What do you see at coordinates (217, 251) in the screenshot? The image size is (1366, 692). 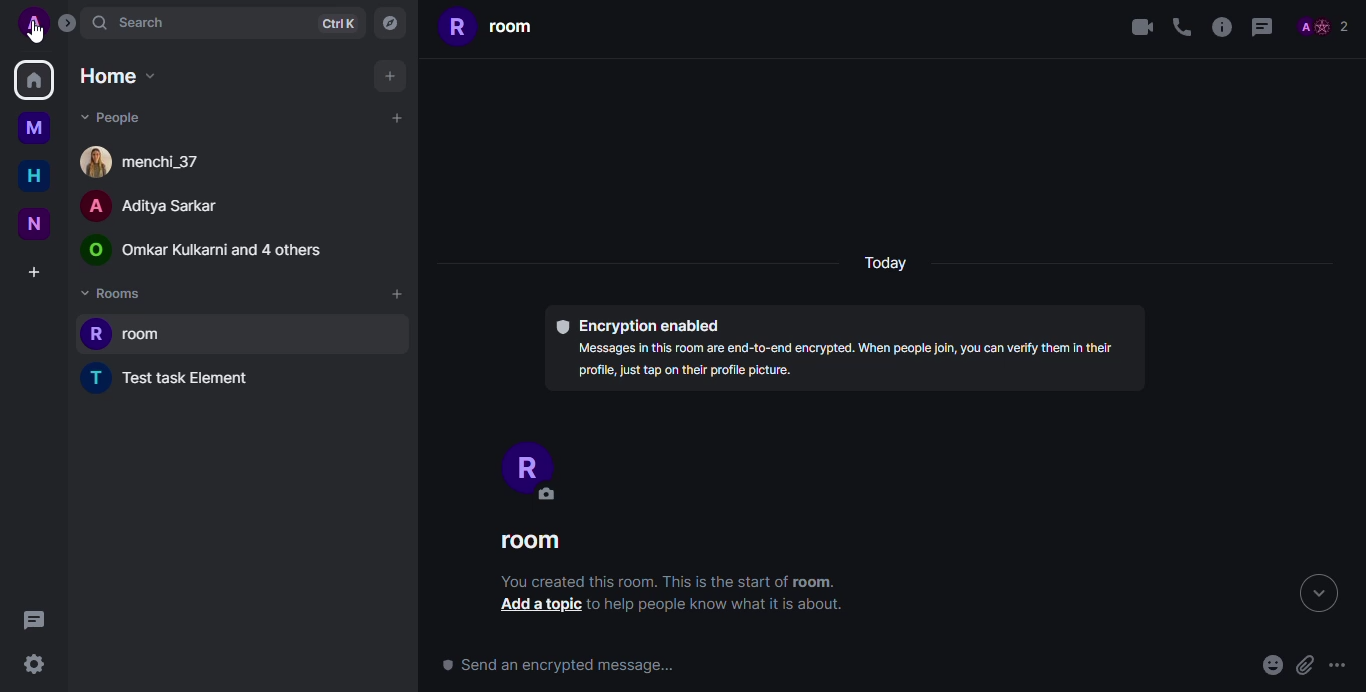 I see `people` at bounding box center [217, 251].